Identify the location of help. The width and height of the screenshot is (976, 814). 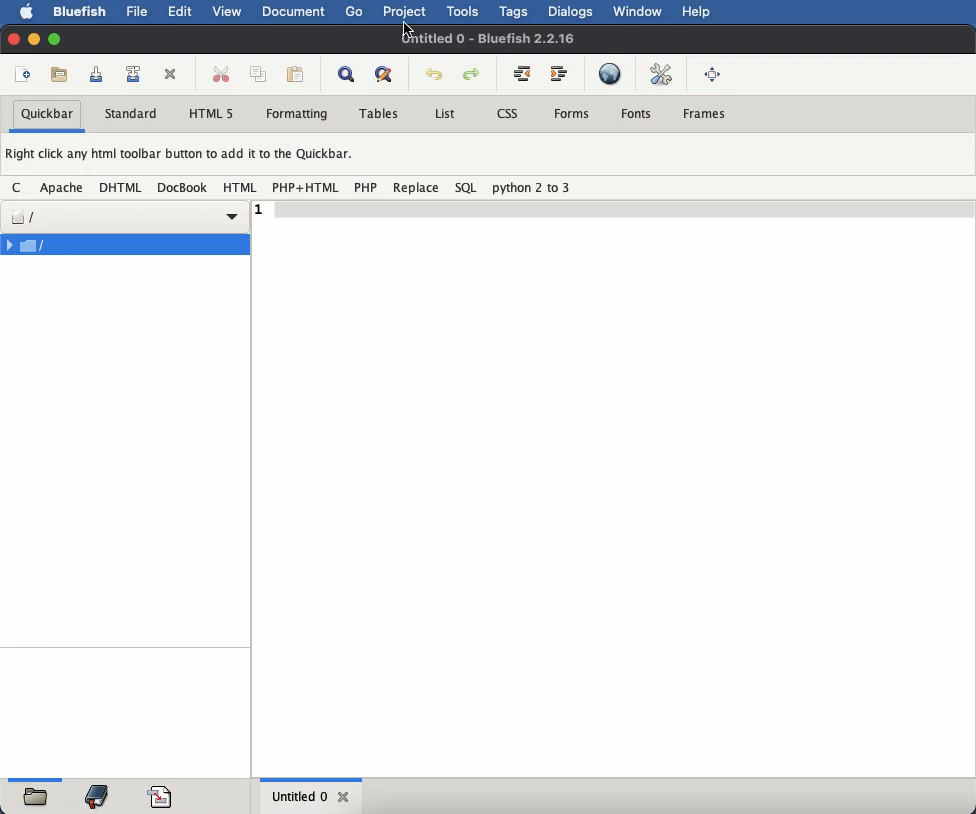
(697, 12).